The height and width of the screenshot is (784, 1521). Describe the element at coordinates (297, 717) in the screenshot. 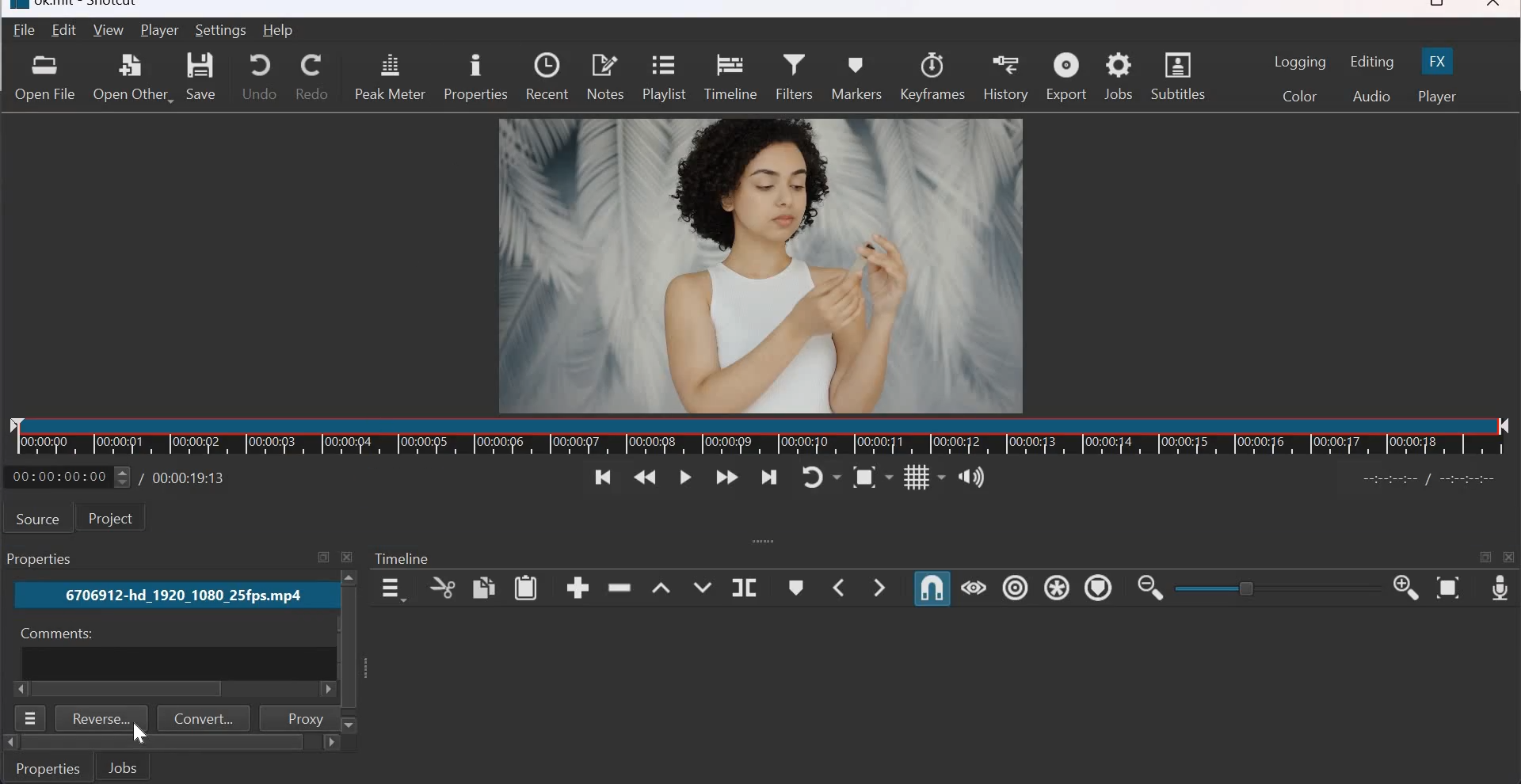

I see `proxy` at that location.